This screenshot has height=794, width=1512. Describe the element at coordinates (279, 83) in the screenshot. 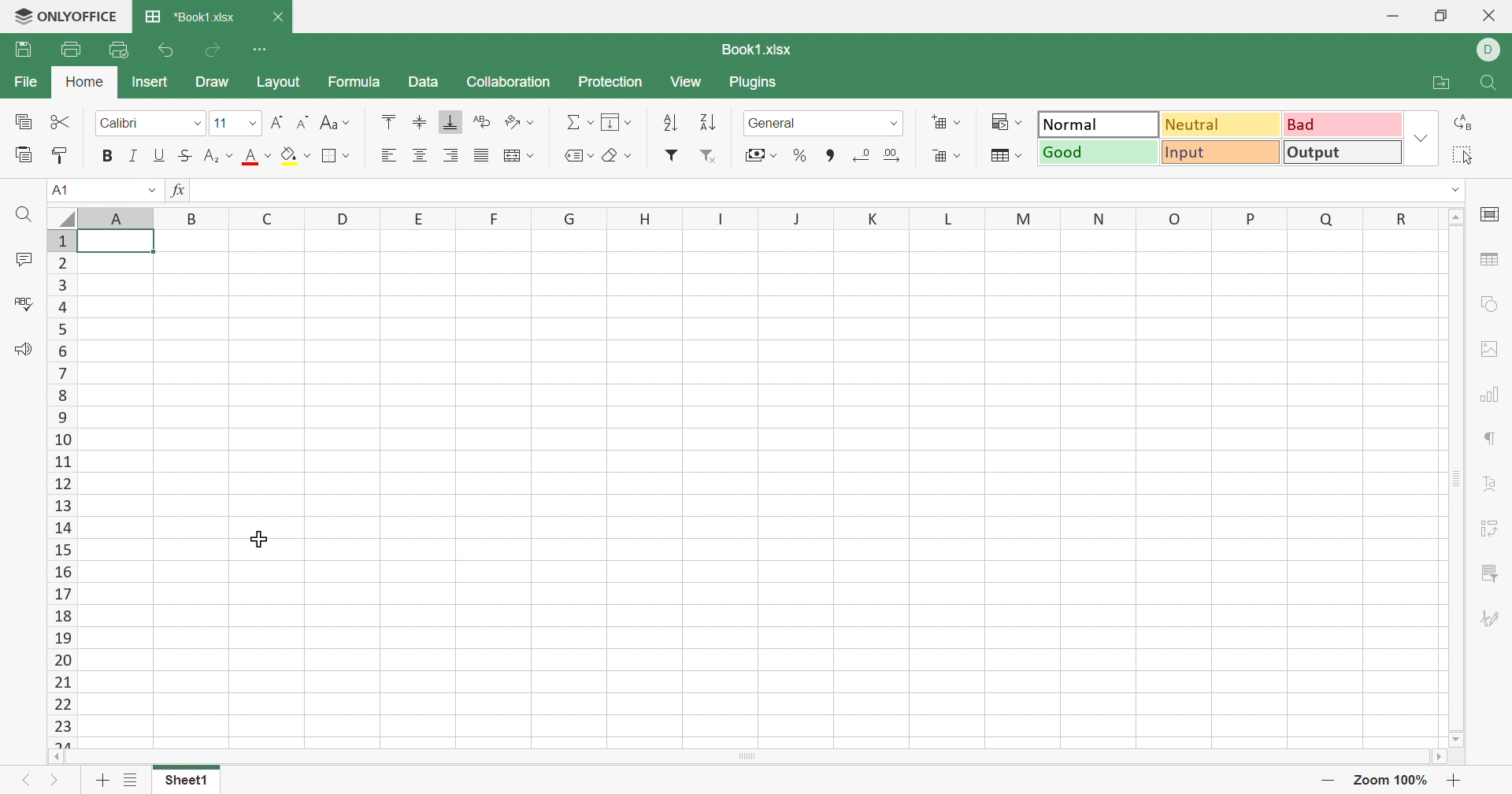

I see `Layout` at that location.